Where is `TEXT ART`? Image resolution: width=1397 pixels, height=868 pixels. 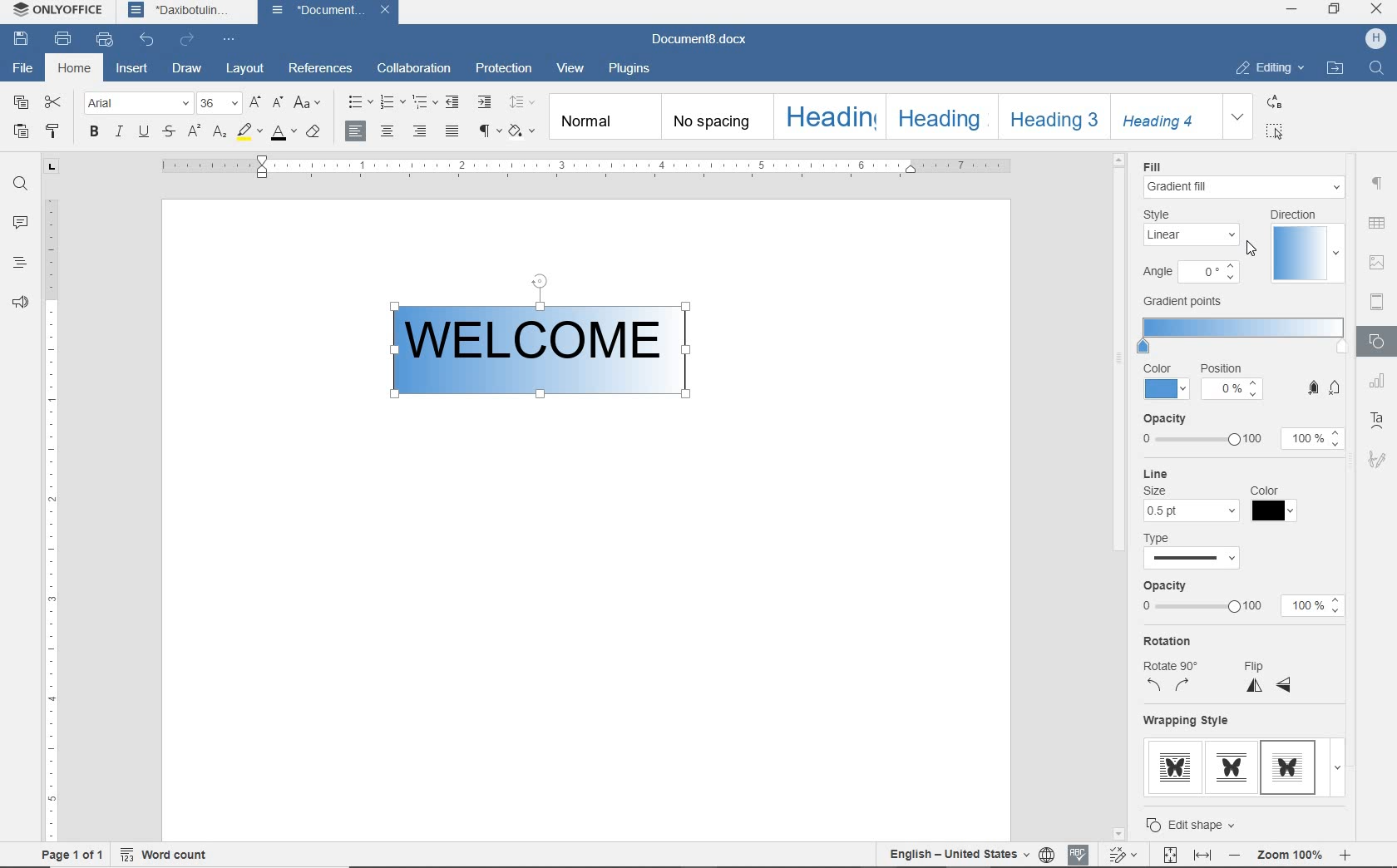 TEXT ART is located at coordinates (1379, 421).